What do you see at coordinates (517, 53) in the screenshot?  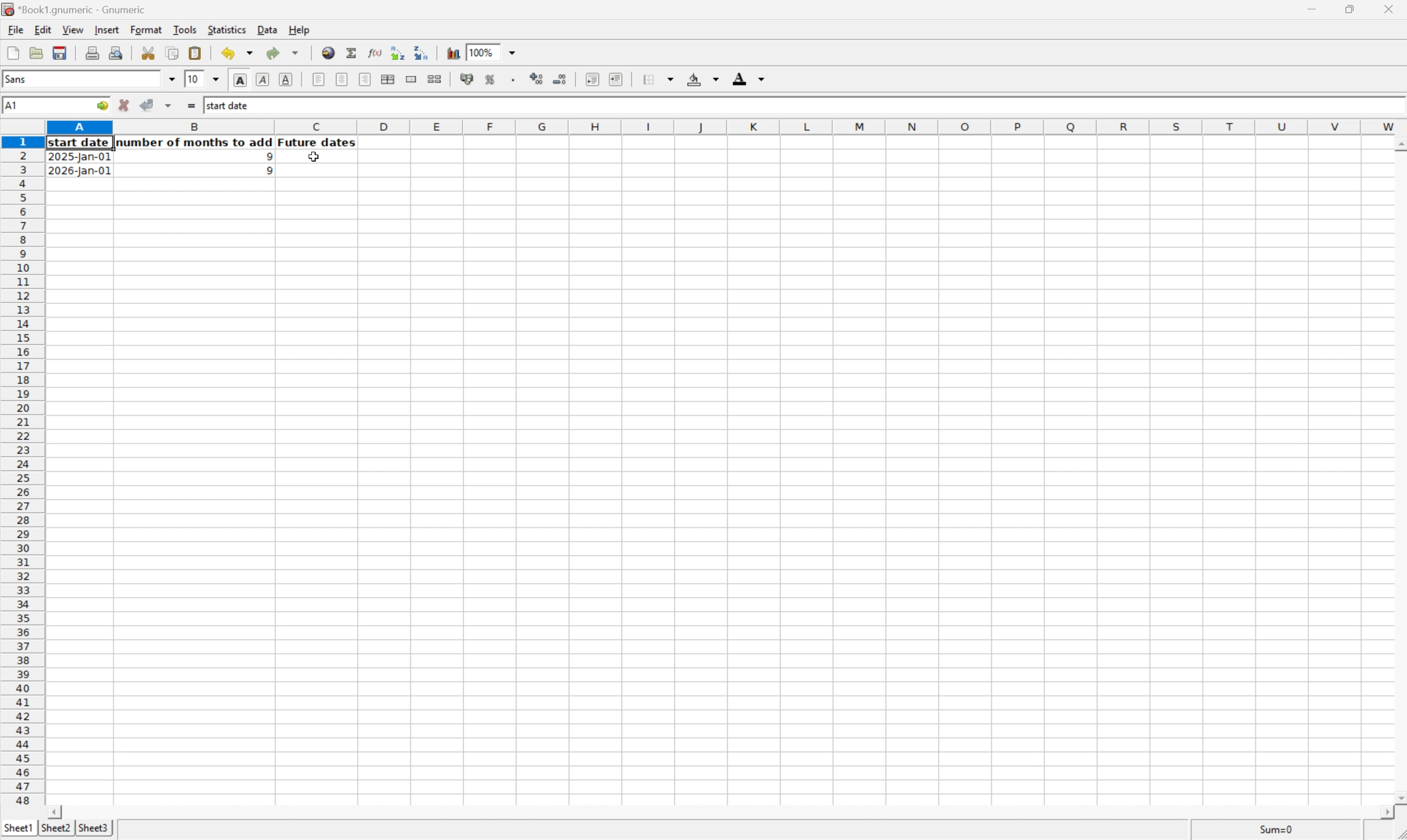 I see `Drop Down` at bounding box center [517, 53].